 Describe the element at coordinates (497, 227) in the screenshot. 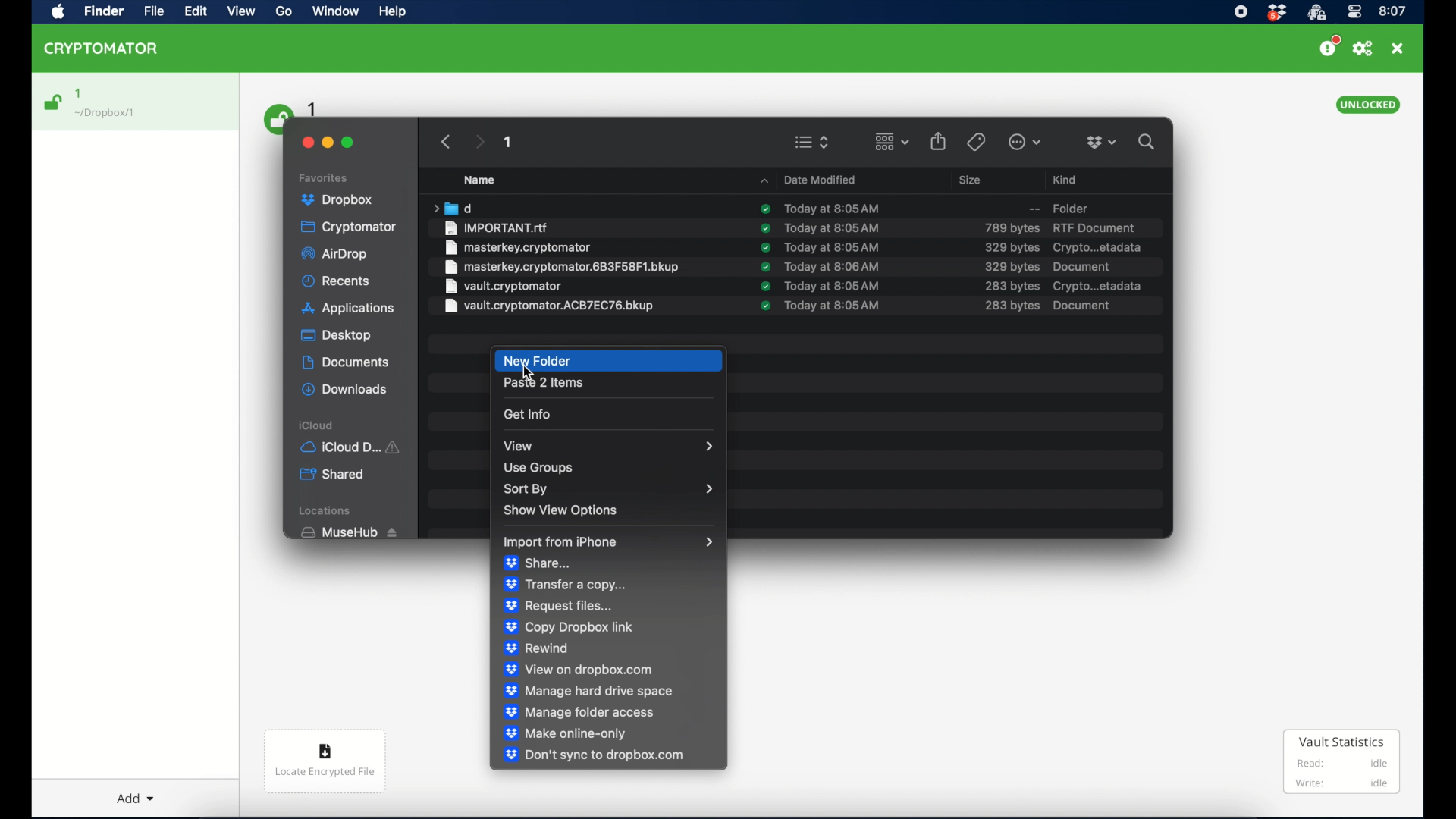

I see `file name` at that location.